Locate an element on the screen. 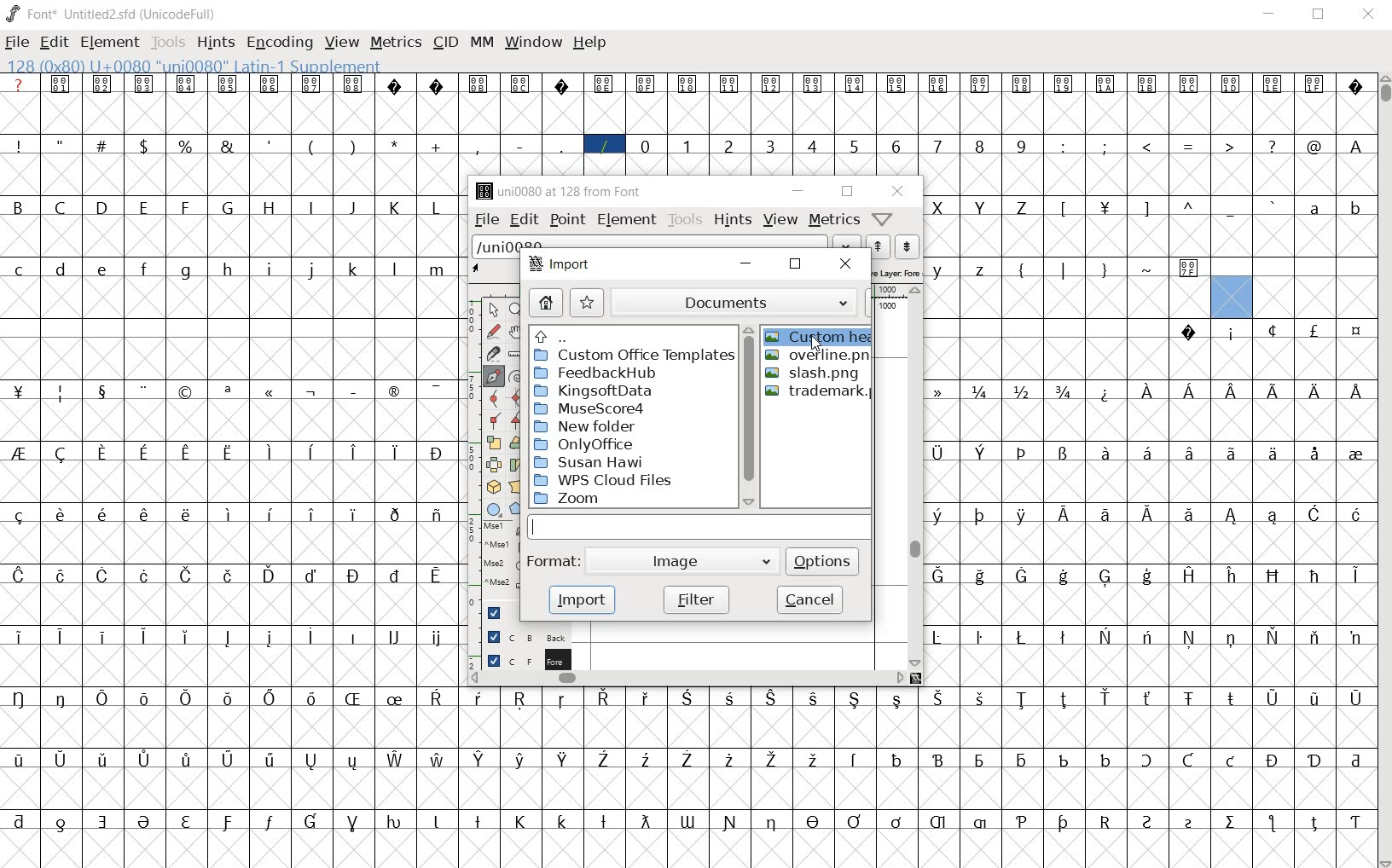  glyph is located at coordinates (229, 576).